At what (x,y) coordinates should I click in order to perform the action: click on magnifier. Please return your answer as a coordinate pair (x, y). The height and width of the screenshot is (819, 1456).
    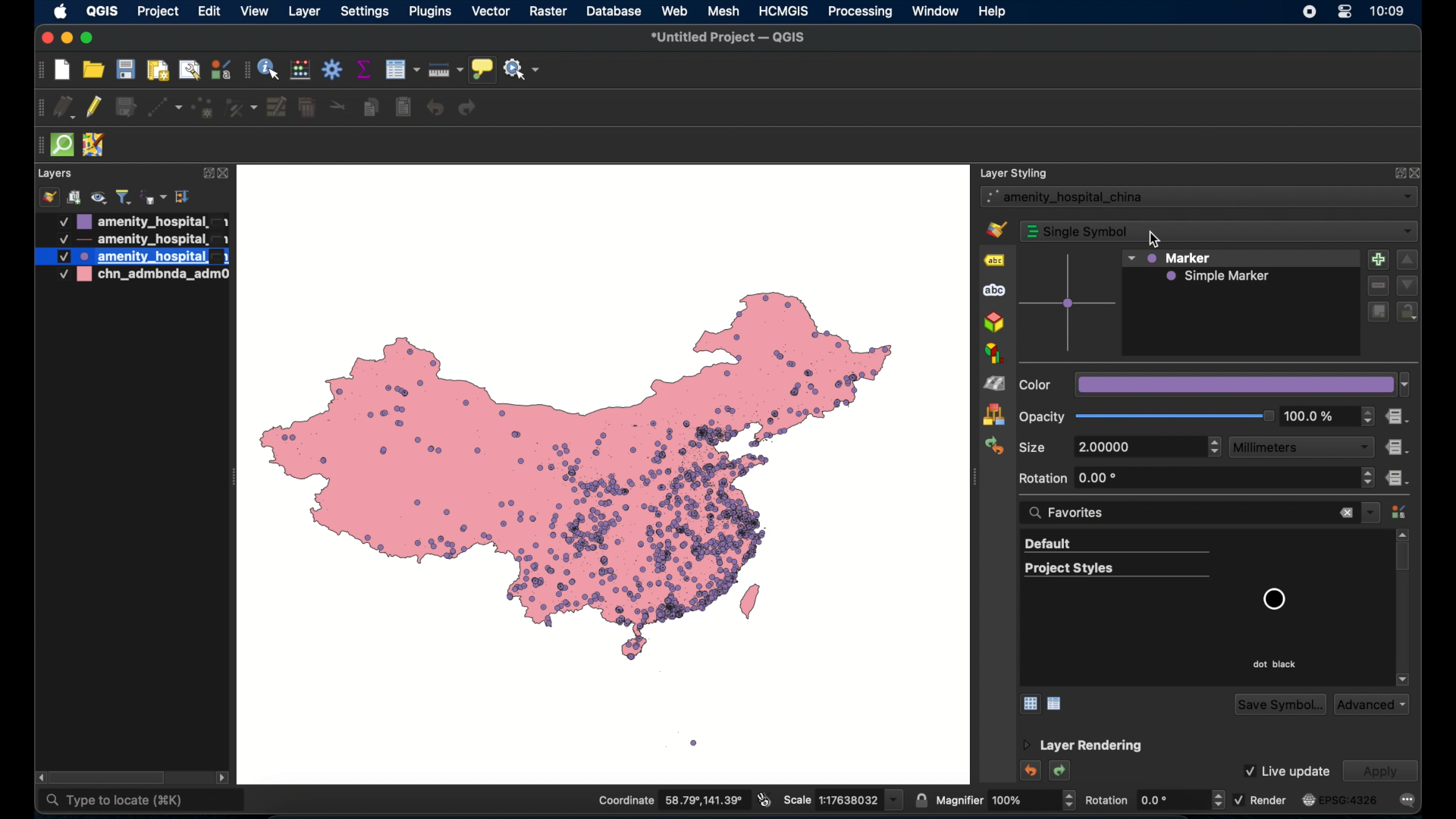
    Looking at the image, I should click on (1005, 800).